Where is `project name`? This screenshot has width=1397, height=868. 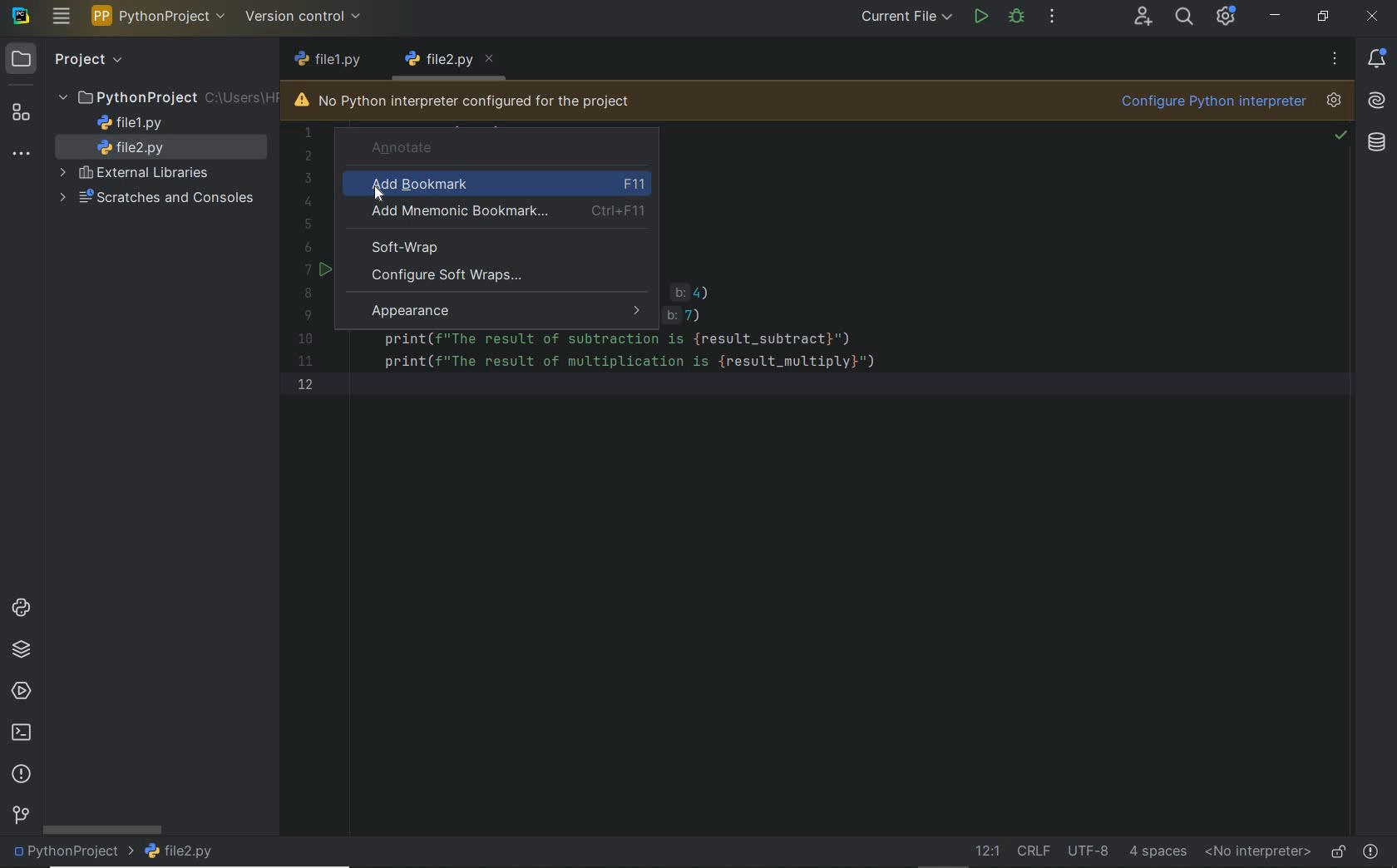 project name is located at coordinates (71, 854).